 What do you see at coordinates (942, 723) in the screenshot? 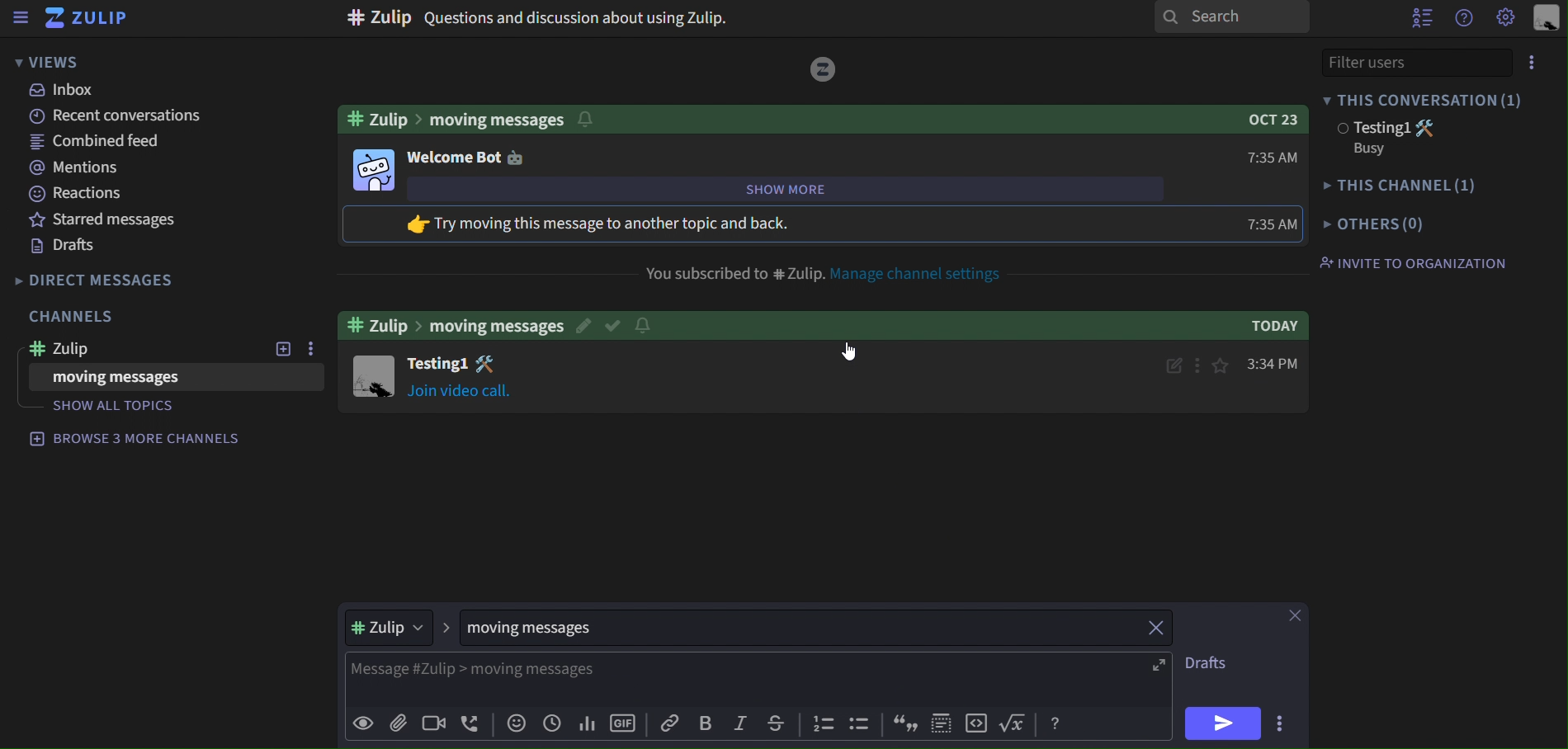
I see `icon` at bounding box center [942, 723].